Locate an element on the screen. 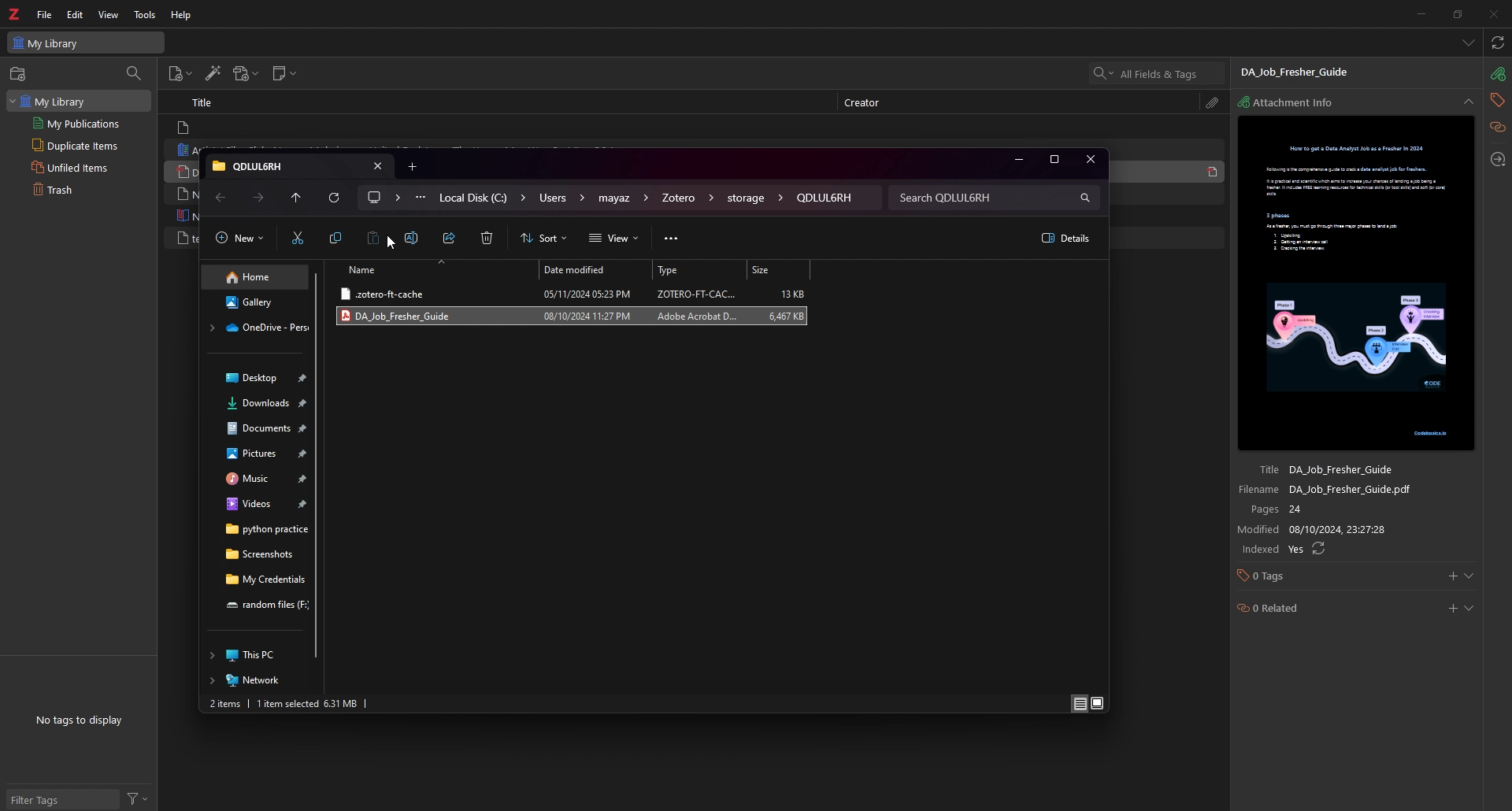  network is located at coordinates (256, 680).